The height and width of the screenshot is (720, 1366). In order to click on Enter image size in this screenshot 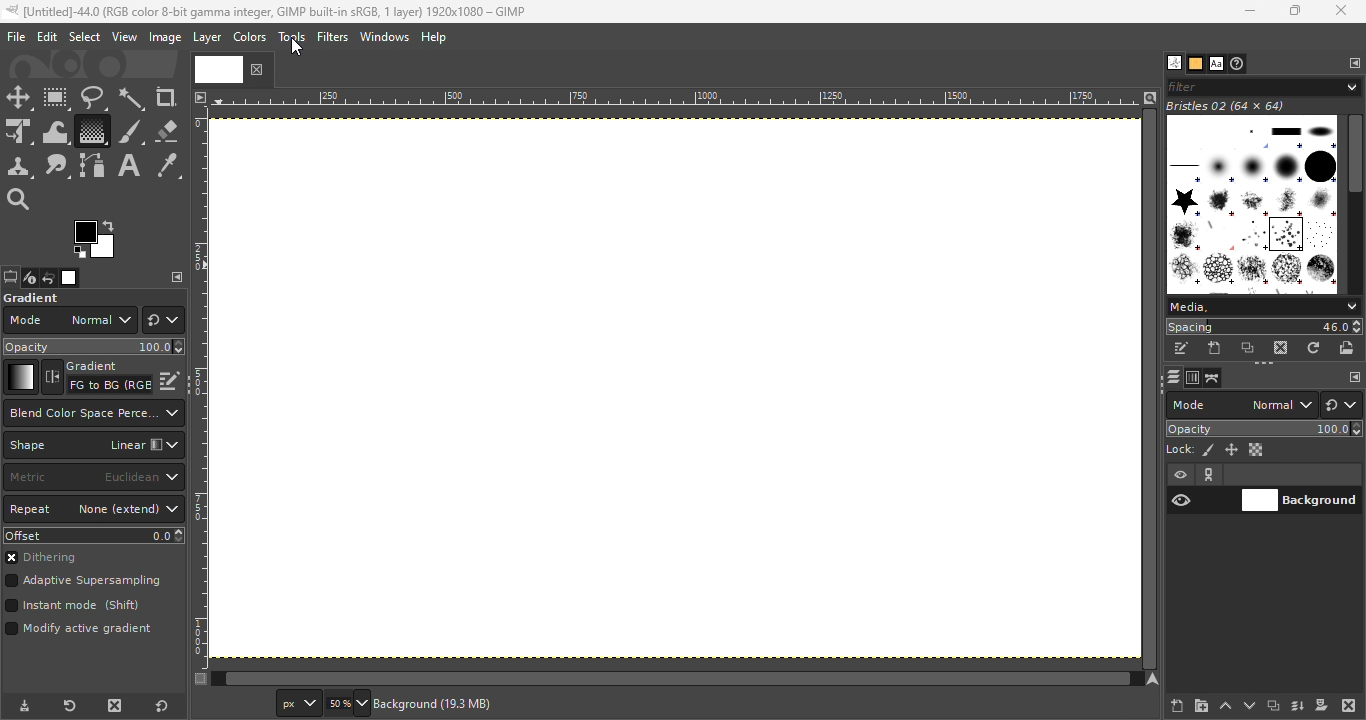, I will do `click(345, 704)`.